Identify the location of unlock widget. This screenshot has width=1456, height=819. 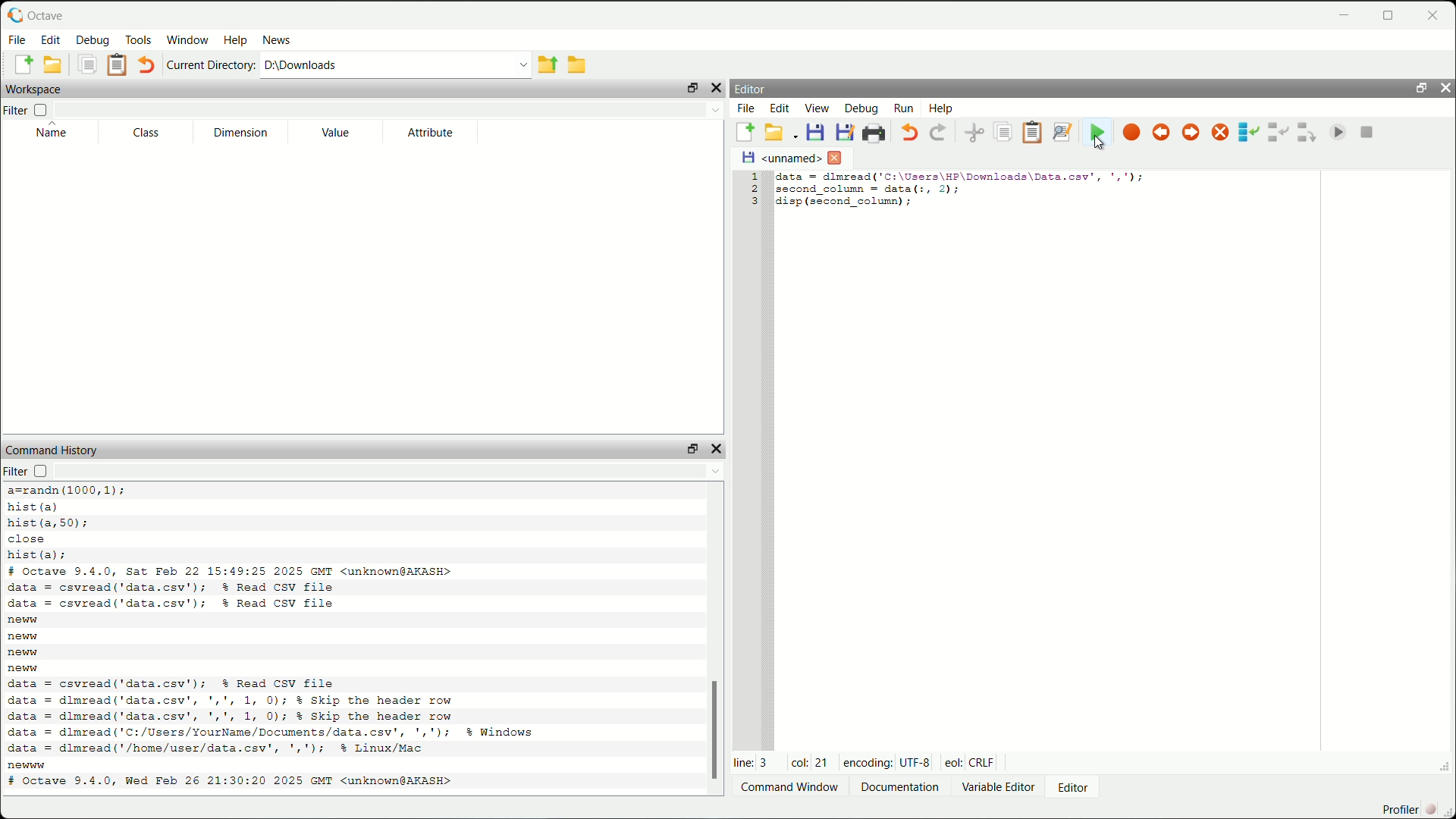
(689, 87).